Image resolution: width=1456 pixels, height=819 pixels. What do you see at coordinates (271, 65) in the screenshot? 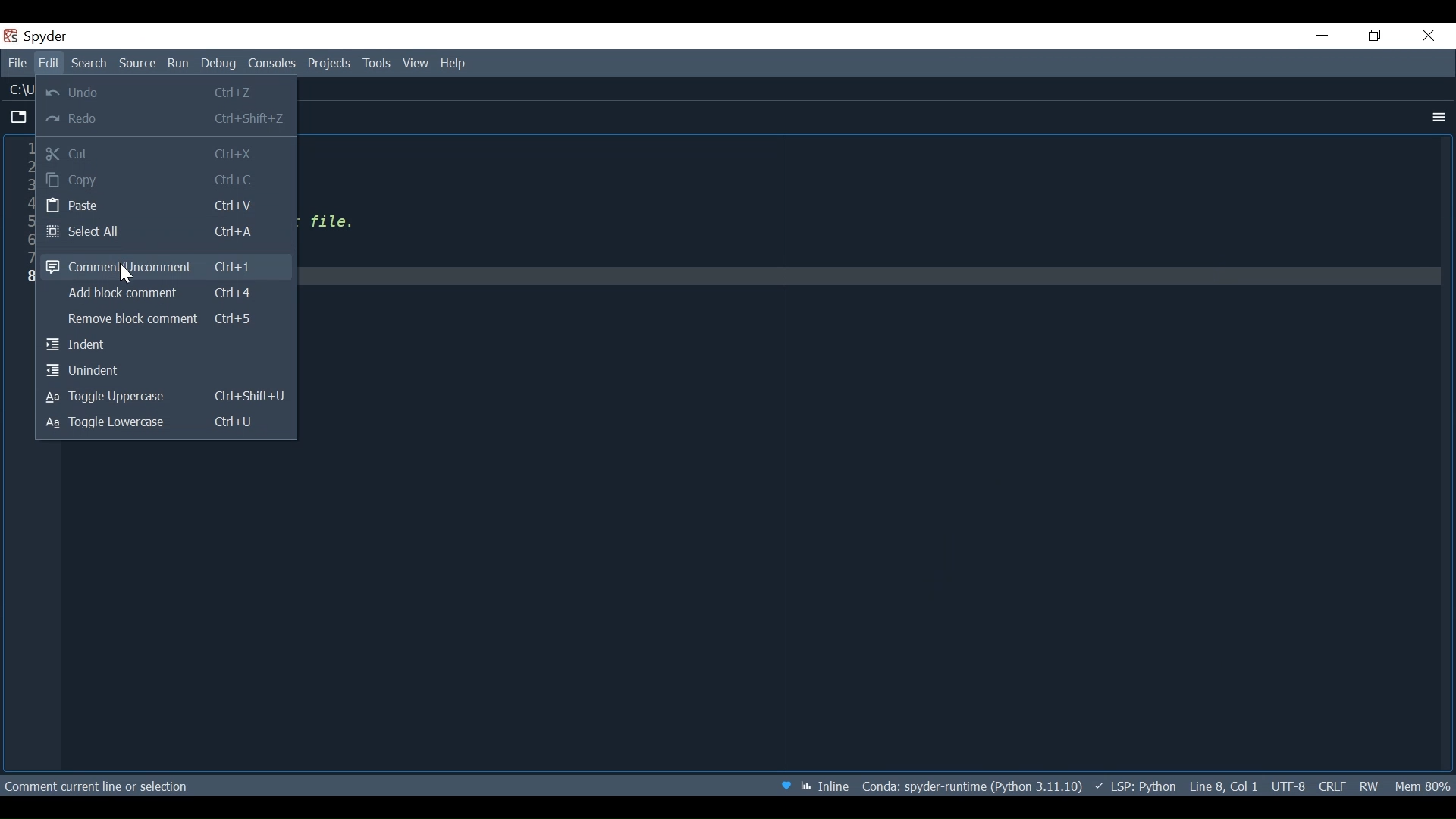
I see `Console` at bounding box center [271, 65].